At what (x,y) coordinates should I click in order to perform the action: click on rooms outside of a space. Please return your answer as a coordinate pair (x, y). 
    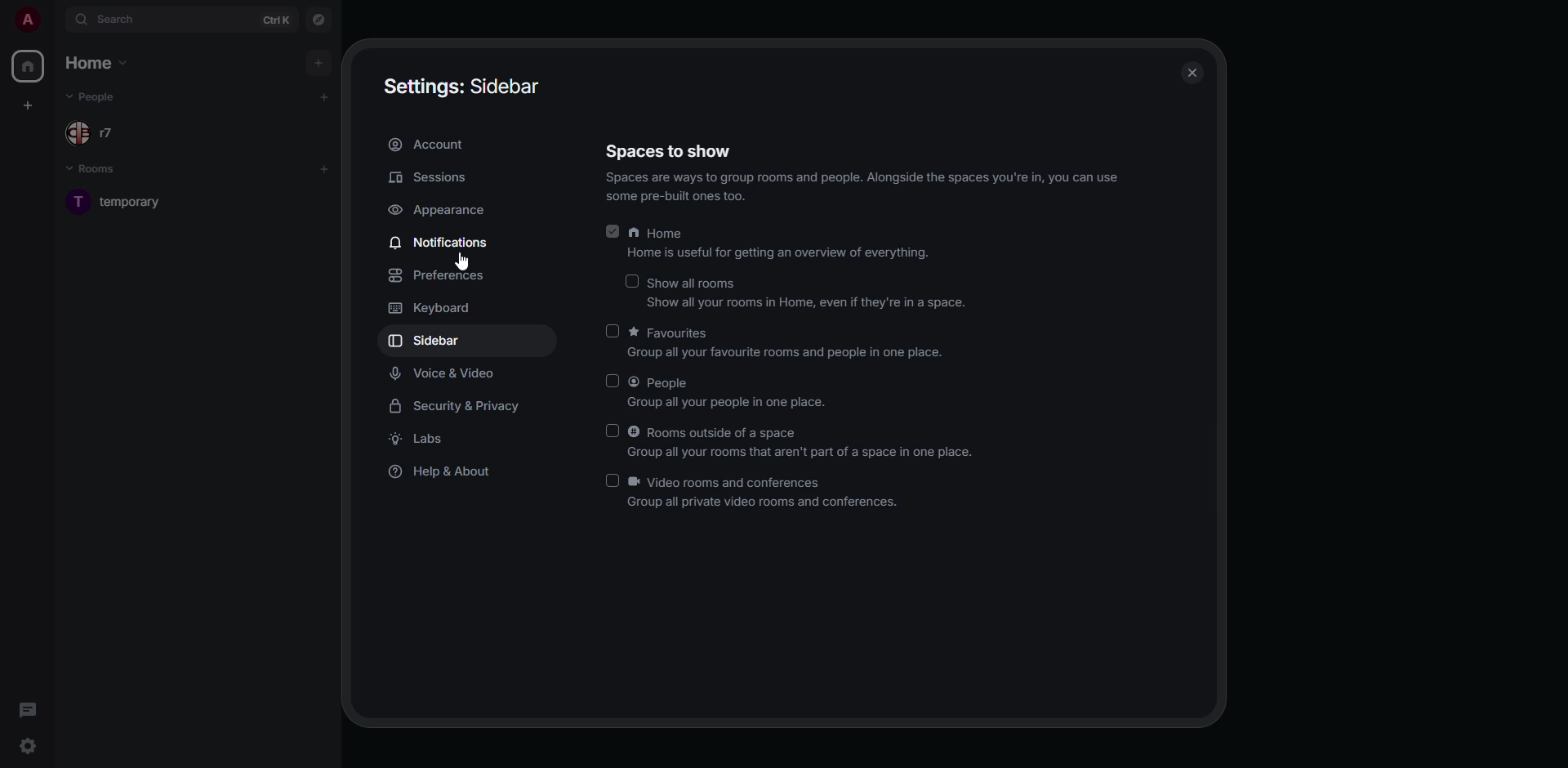
    Looking at the image, I should click on (804, 441).